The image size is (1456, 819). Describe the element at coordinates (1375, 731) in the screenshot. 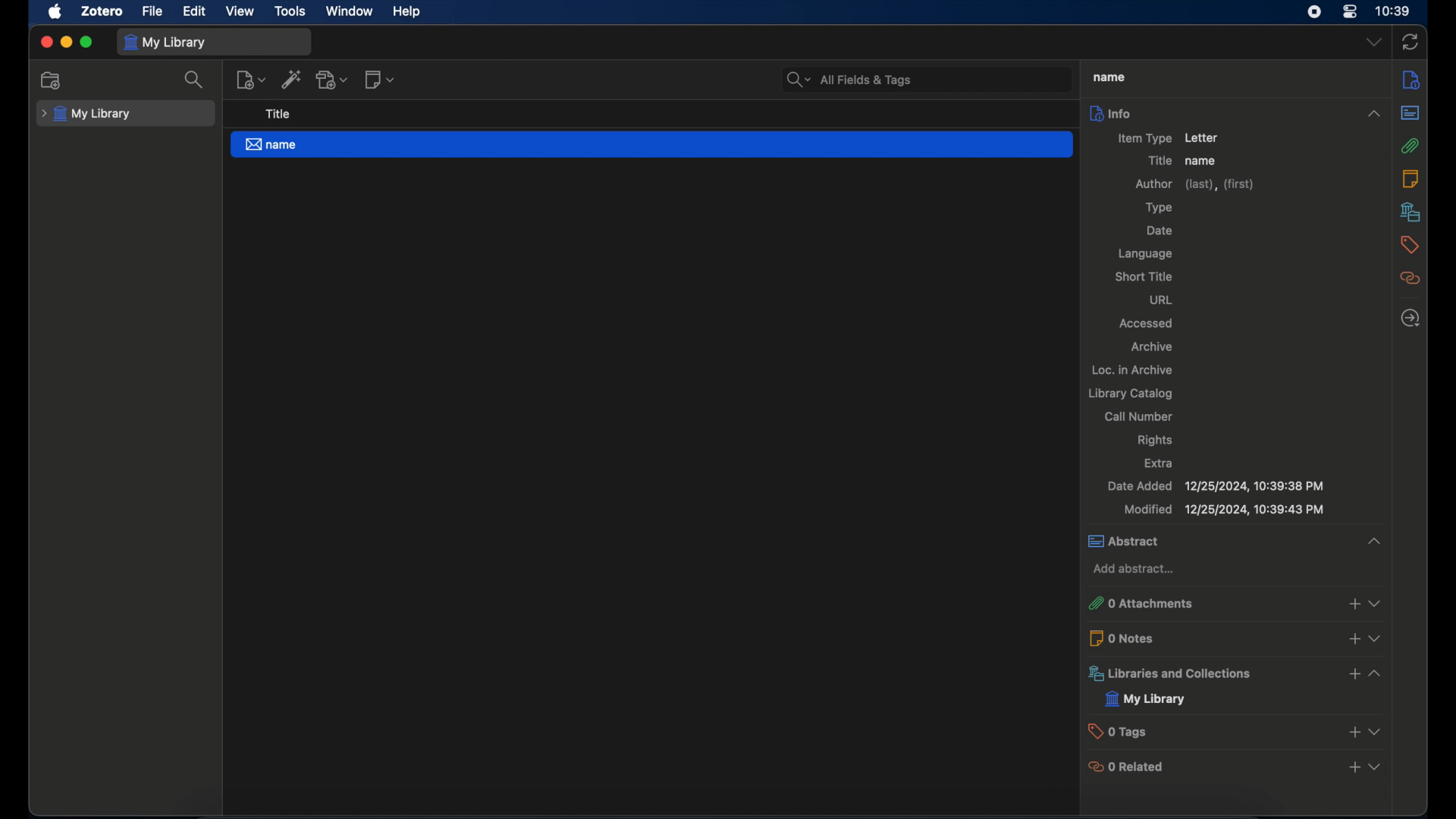

I see `view more` at that location.